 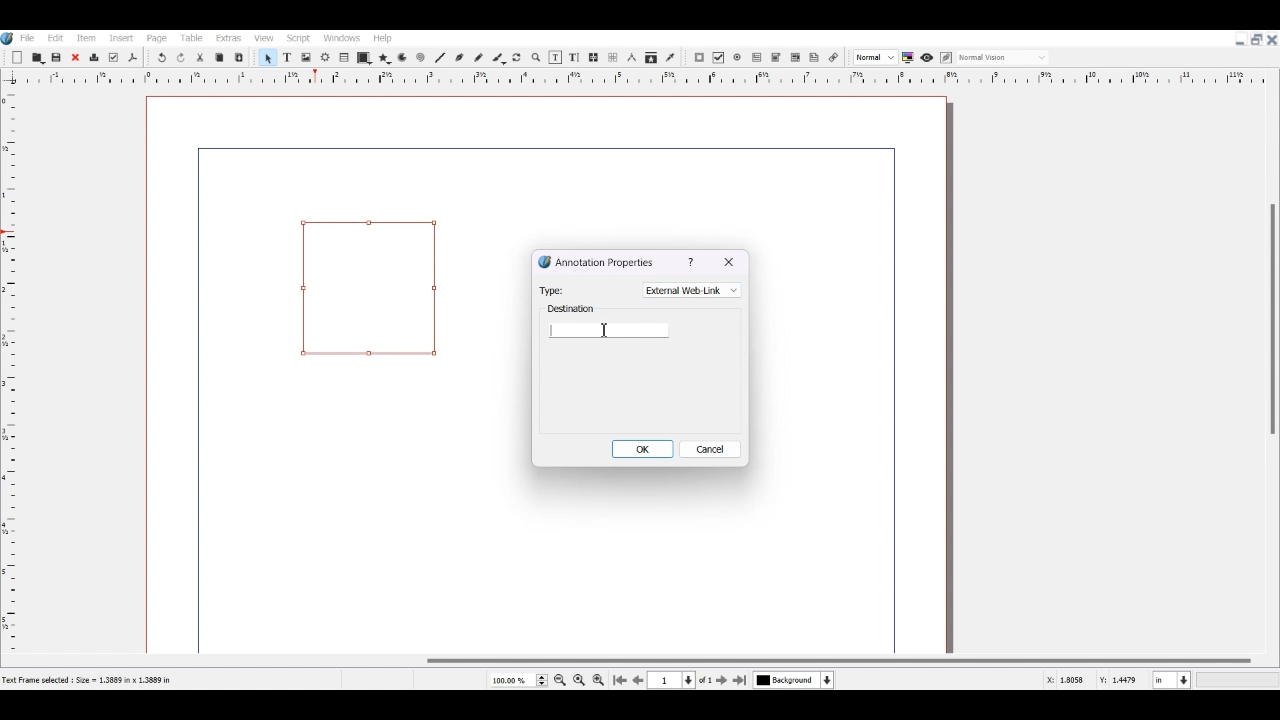 What do you see at coordinates (699, 58) in the screenshot?
I see `PDF Push Button` at bounding box center [699, 58].